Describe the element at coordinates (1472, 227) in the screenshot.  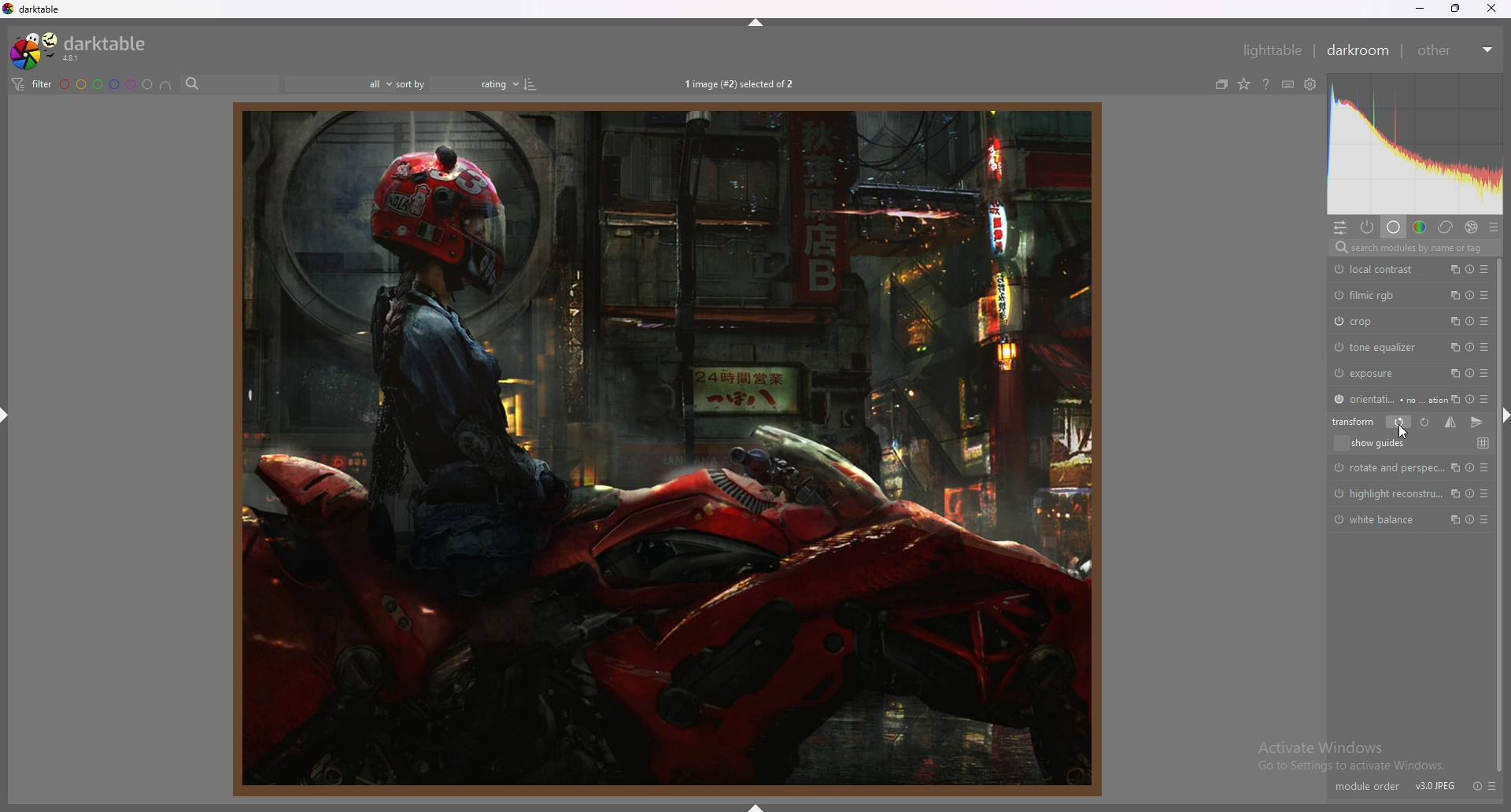
I see `effect` at that location.